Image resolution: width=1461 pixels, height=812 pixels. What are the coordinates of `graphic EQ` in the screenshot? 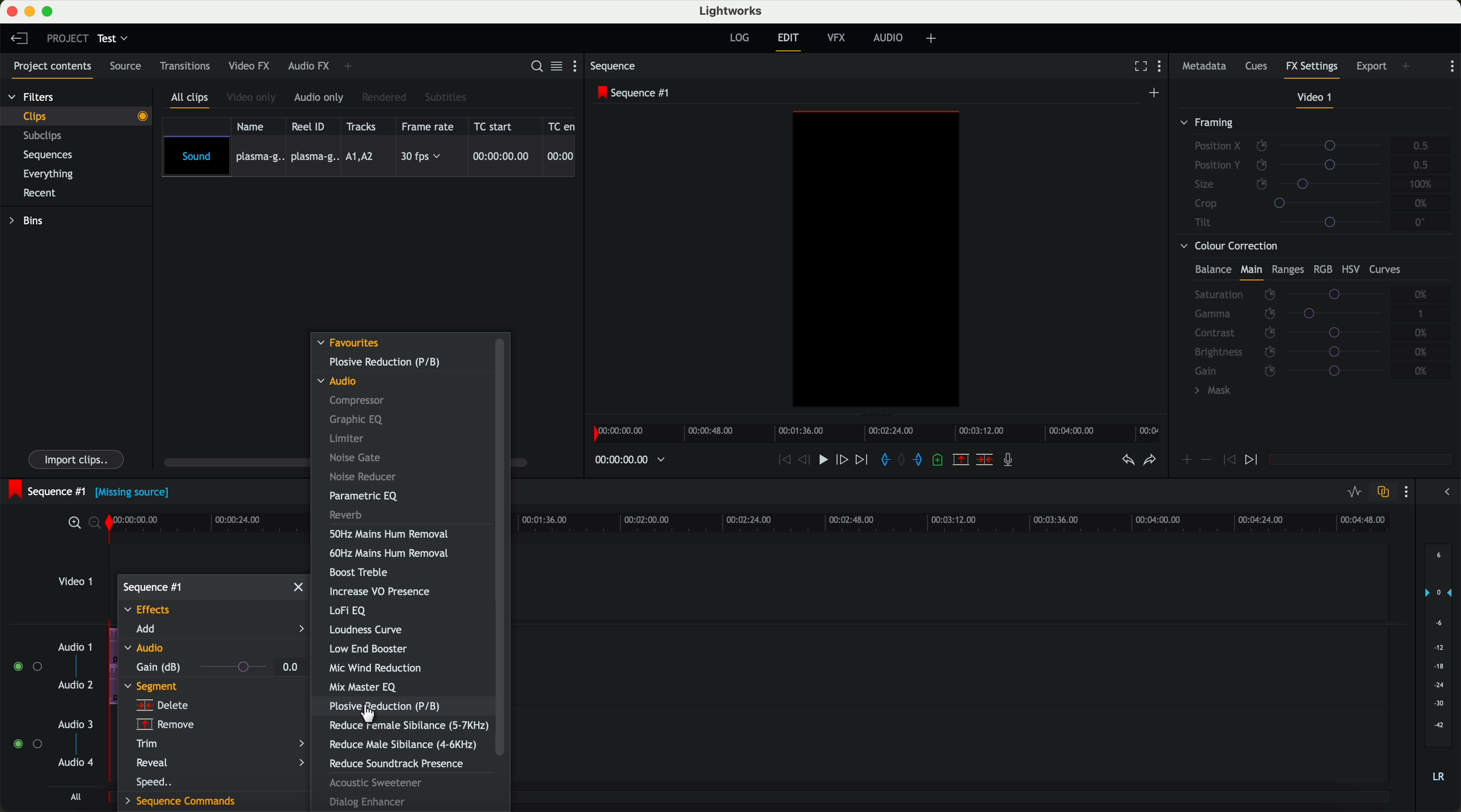 It's located at (353, 419).